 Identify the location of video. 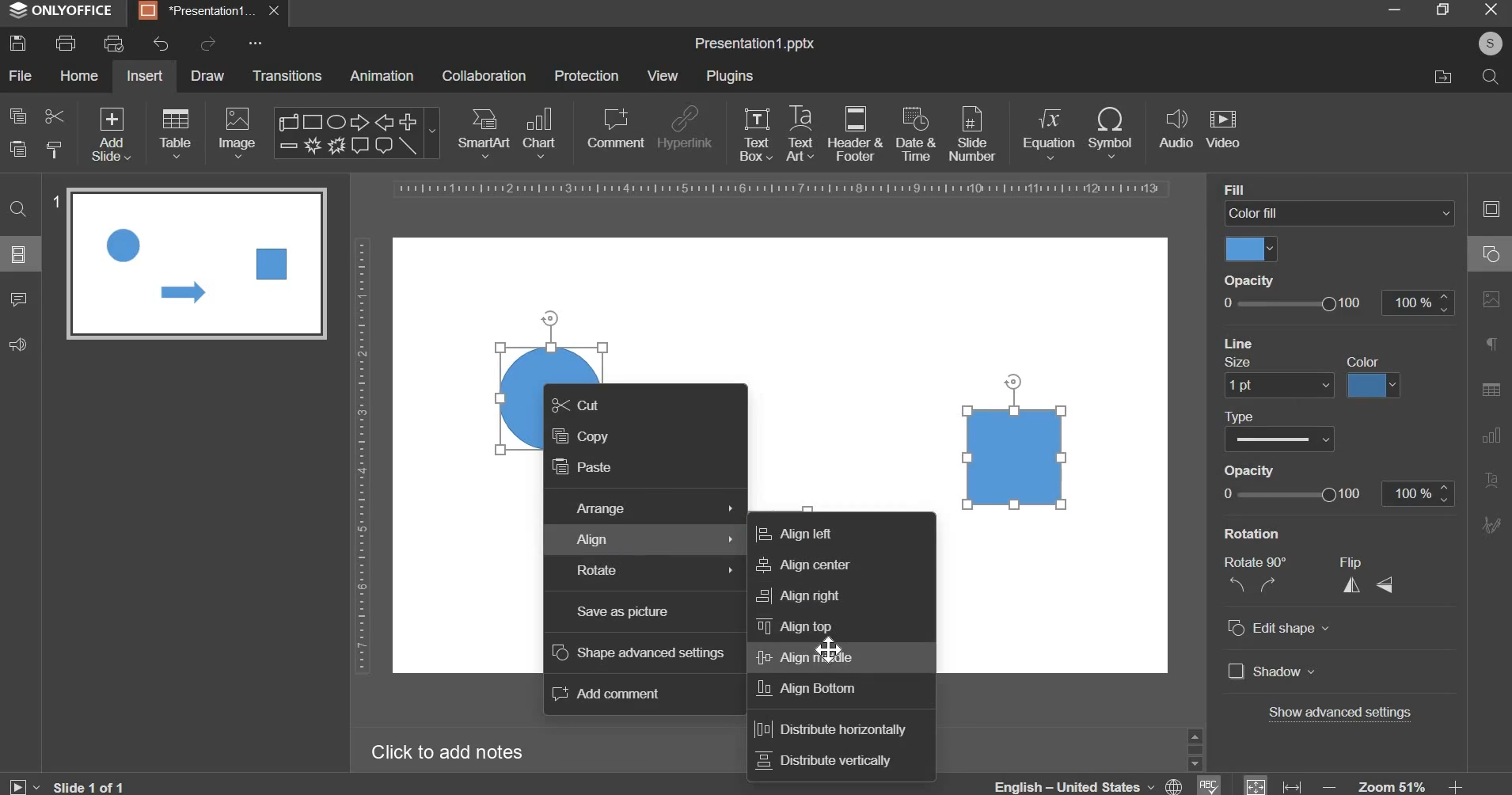
(1223, 130).